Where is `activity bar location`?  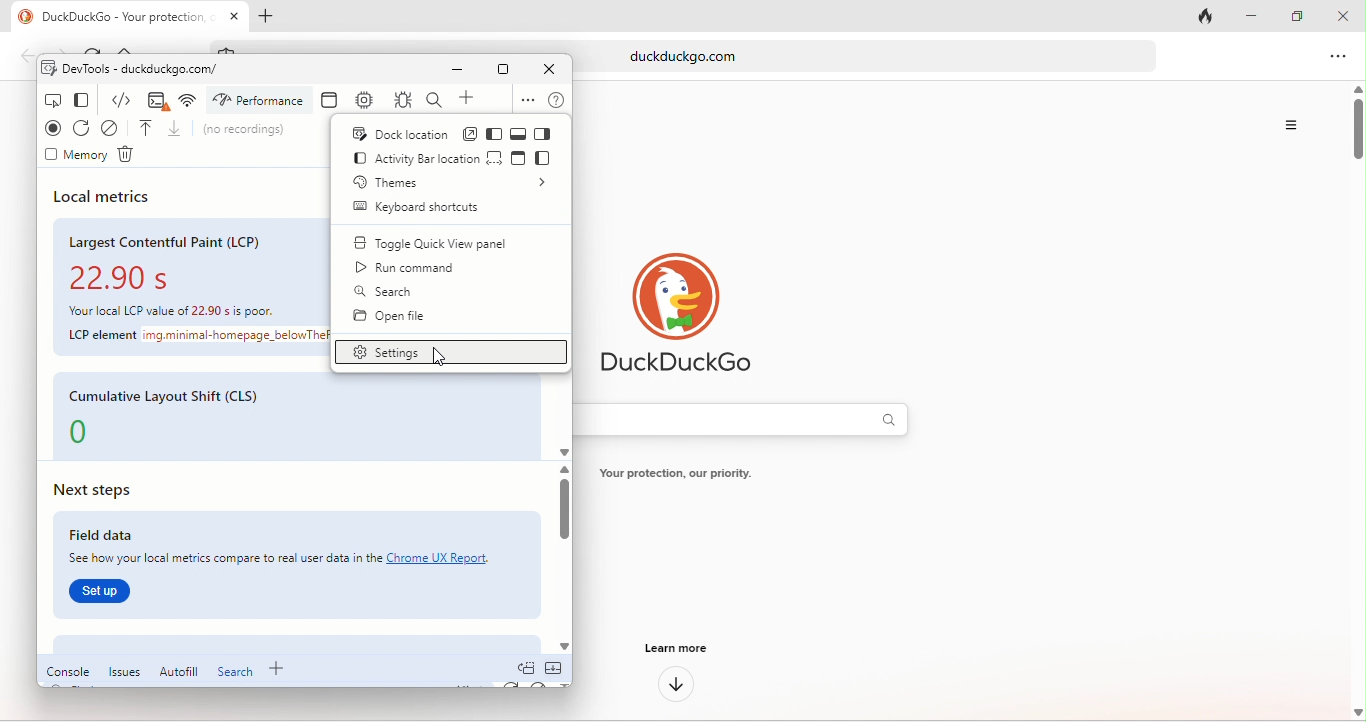 activity bar location is located at coordinates (456, 159).